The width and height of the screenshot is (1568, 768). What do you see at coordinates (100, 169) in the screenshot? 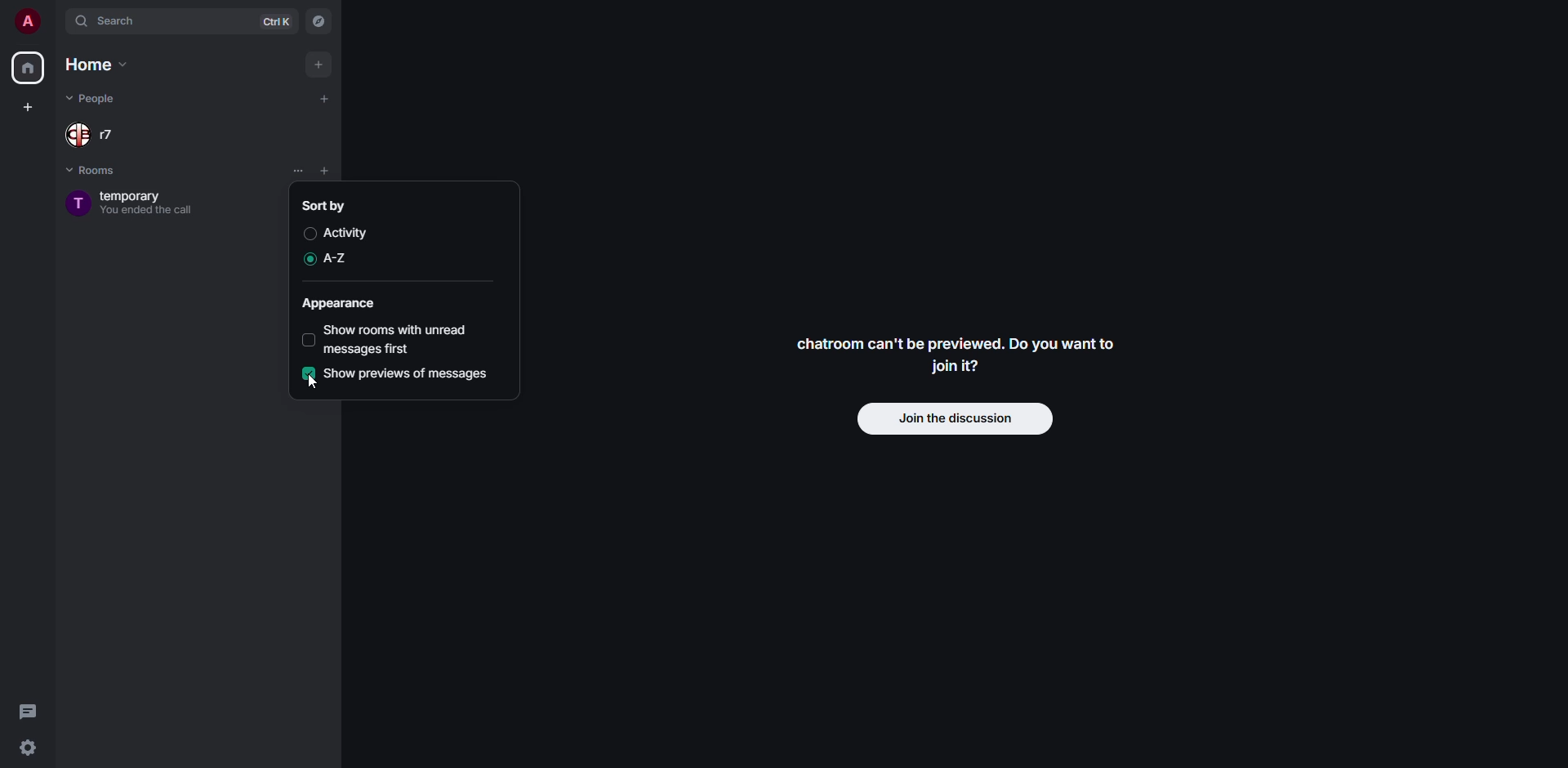
I see `rooms` at bounding box center [100, 169].